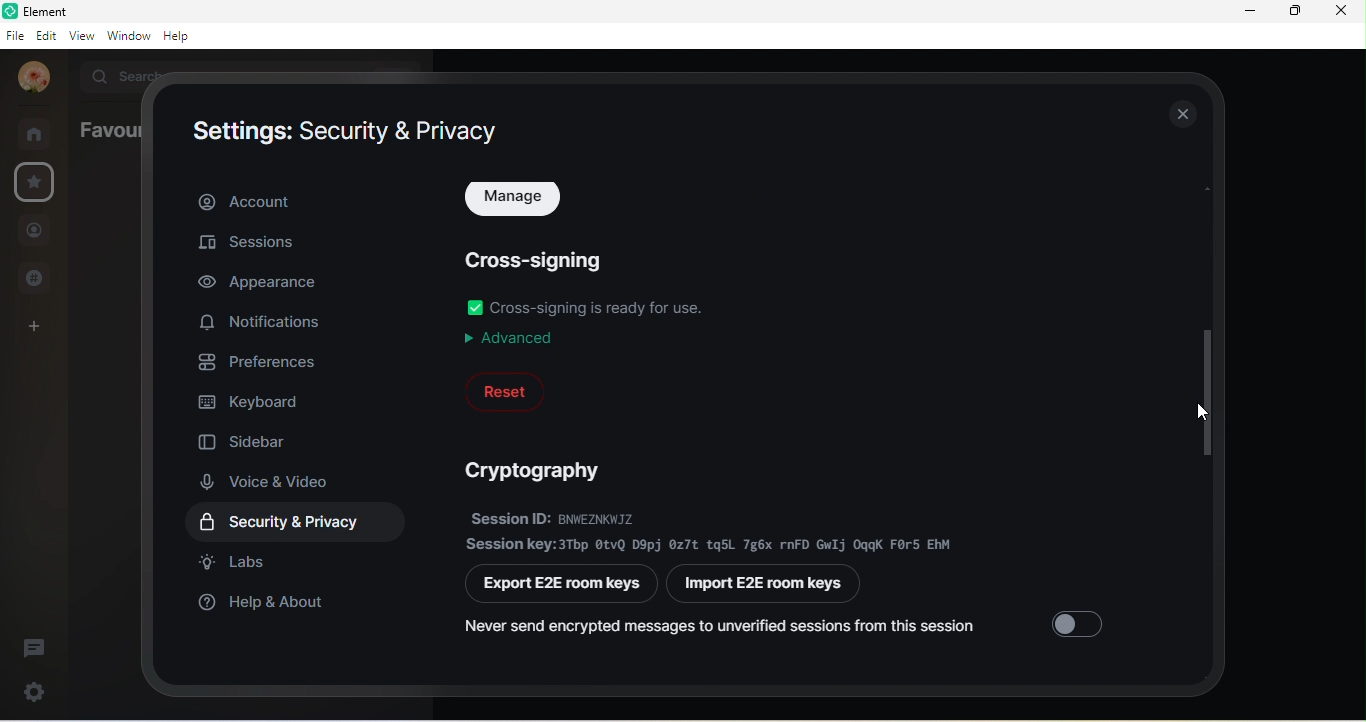 This screenshot has width=1366, height=722. What do you see at coordinates (1341, 13) in the screenshot?
I see `close` at bounding box center [1341, 13].